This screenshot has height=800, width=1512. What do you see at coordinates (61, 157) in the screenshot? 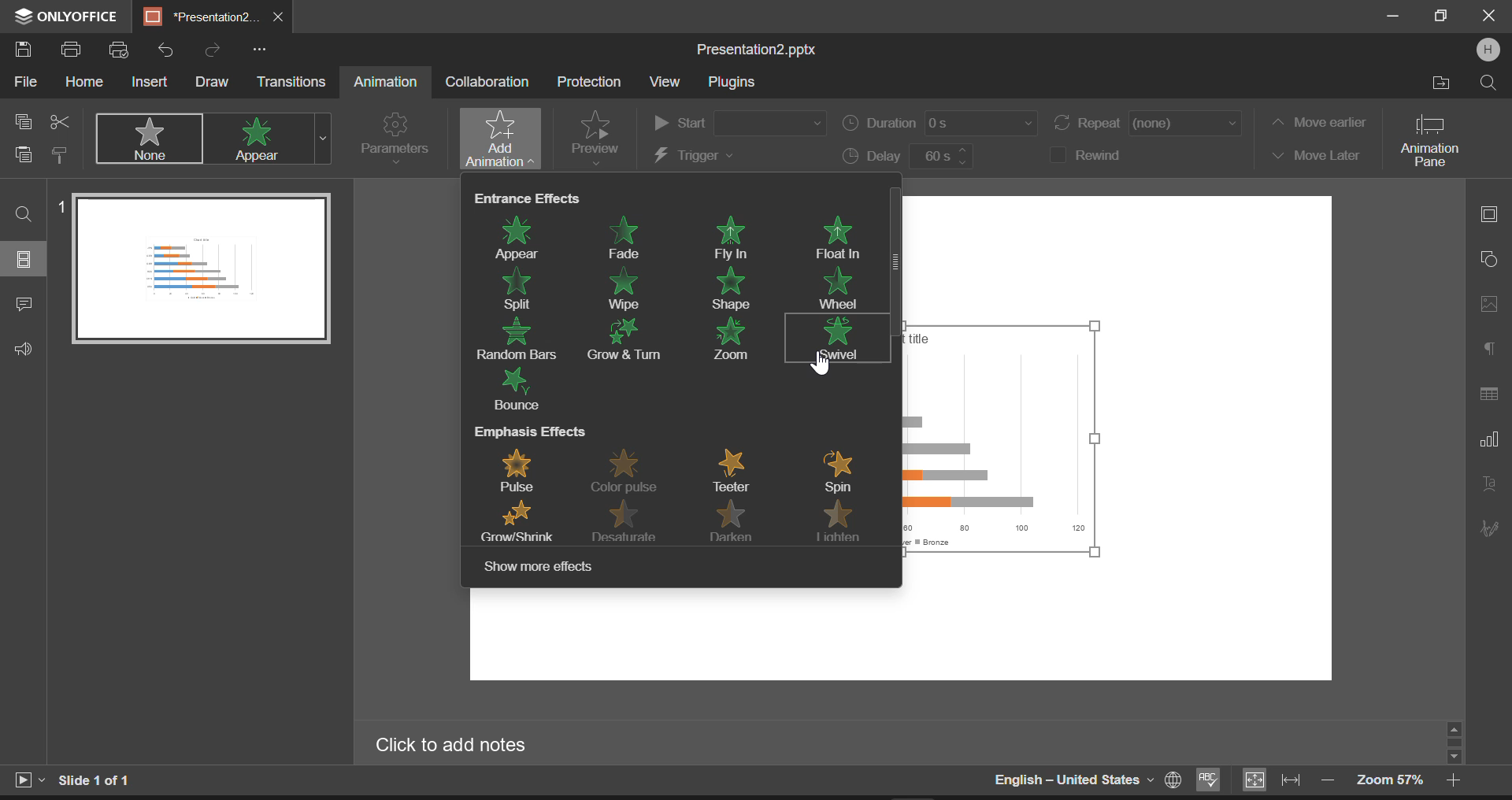
I see `Copy Style` at bounding box center [61, 157].